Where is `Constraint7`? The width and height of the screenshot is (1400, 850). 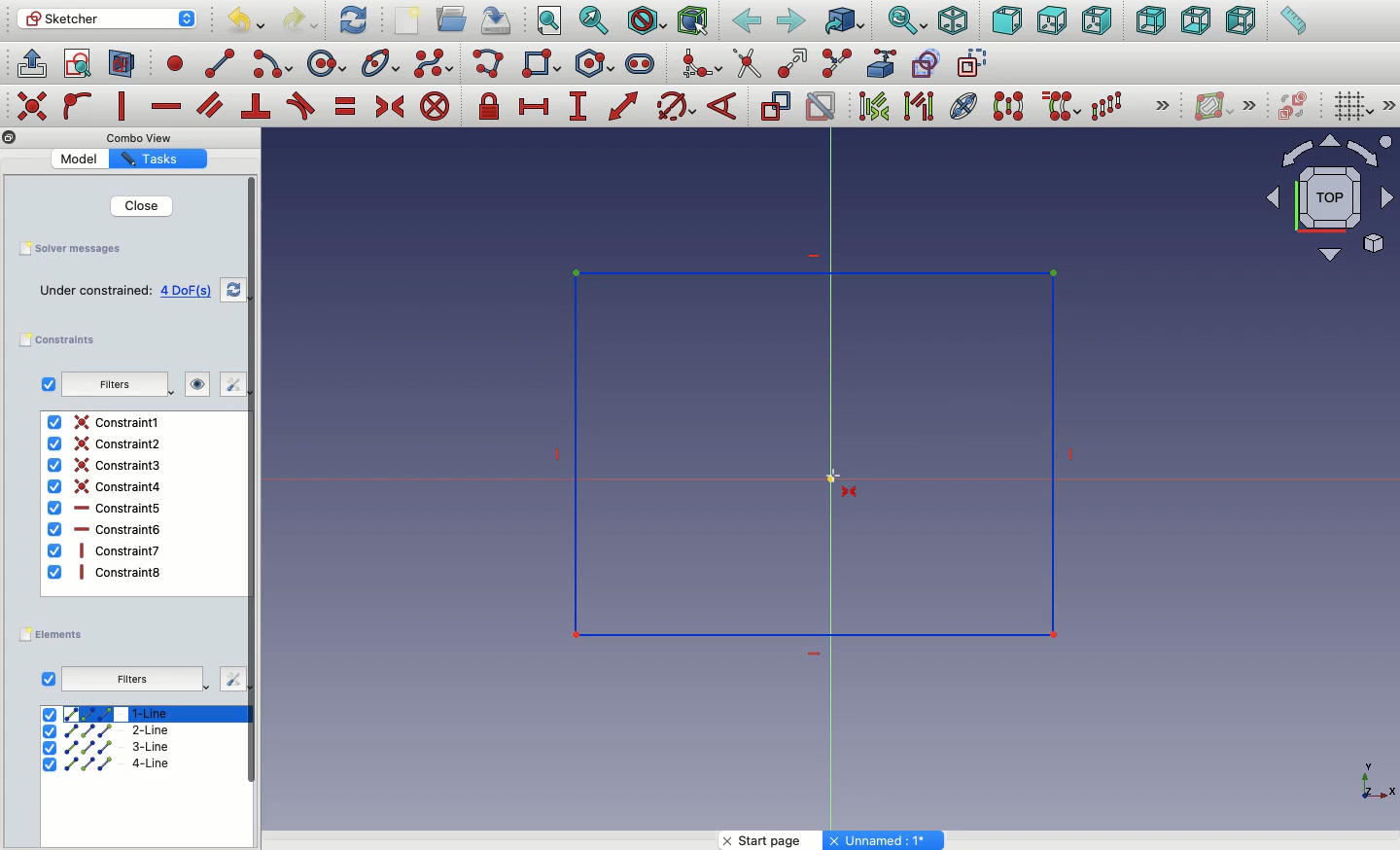 Constraint7 is located at coordinates (105, 549).